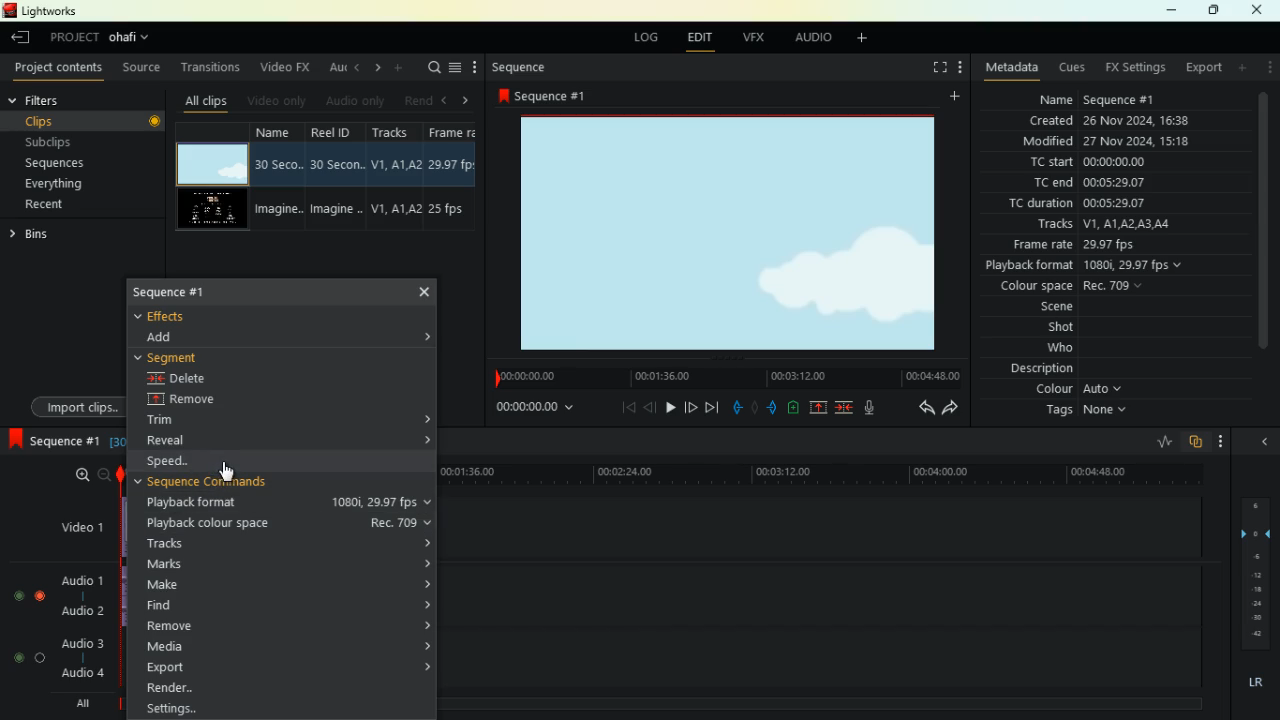 This screenshot has width=1280, height=720. What do you see at coordinates (1093, 184) in the screenshot?
I see `tc end` at bounding box center [1093, 184].